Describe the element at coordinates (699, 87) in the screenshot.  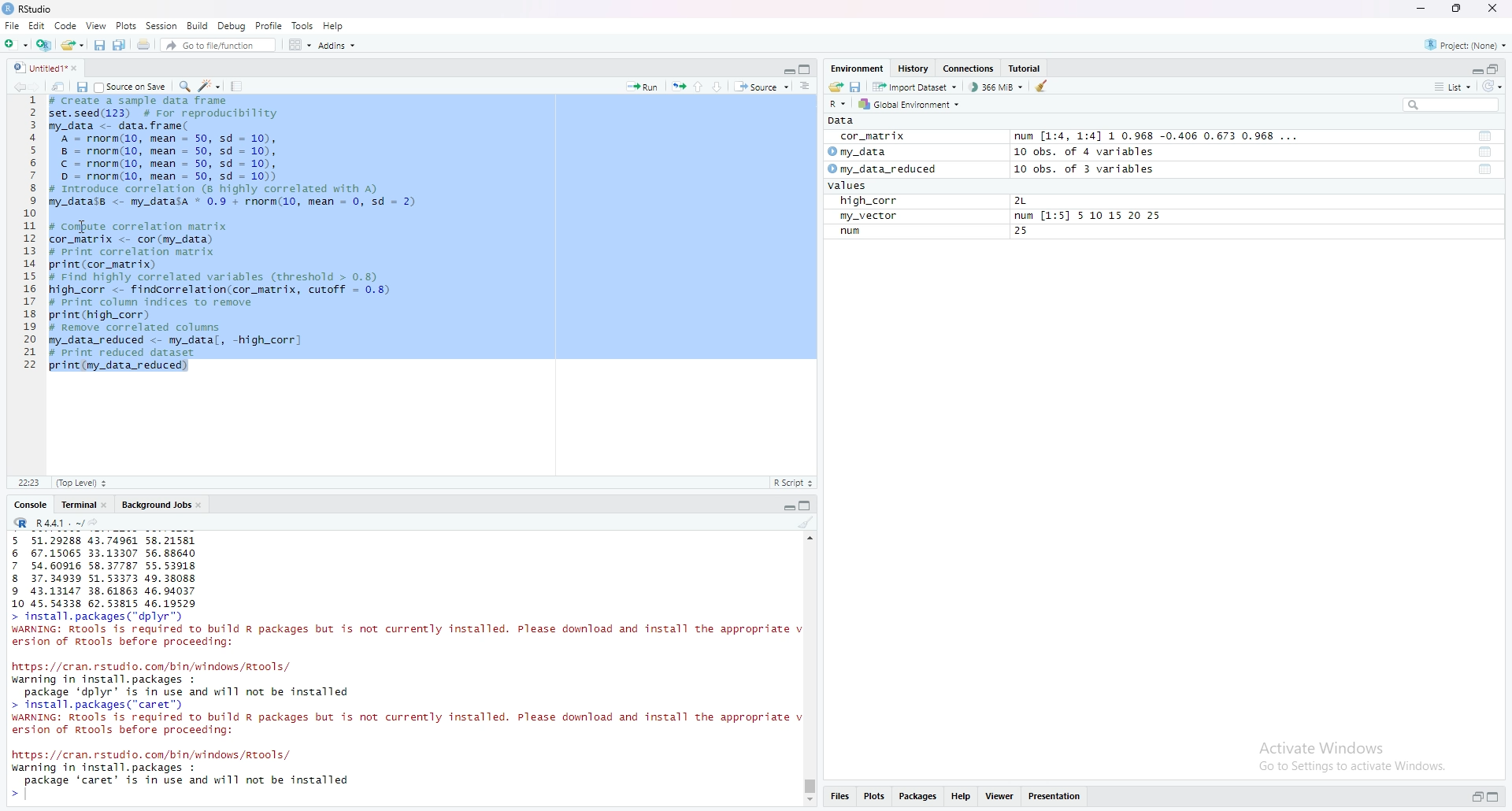
I see `up` at that location.